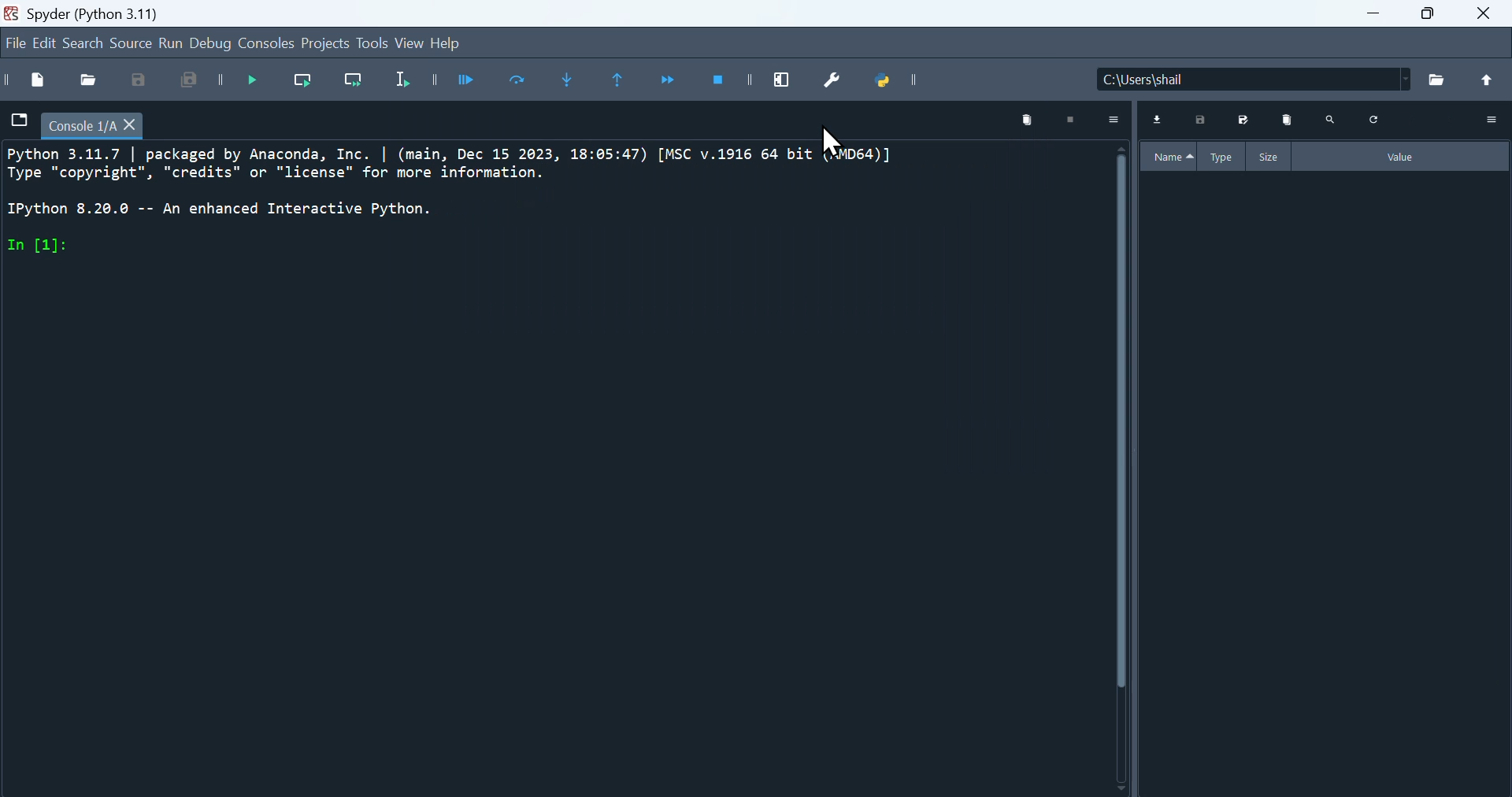 The width and height of the screenshot is (1512, 797). Describe the element at coordinates (1022, 117) in the screenshot. I see `Delete panel` at that location.